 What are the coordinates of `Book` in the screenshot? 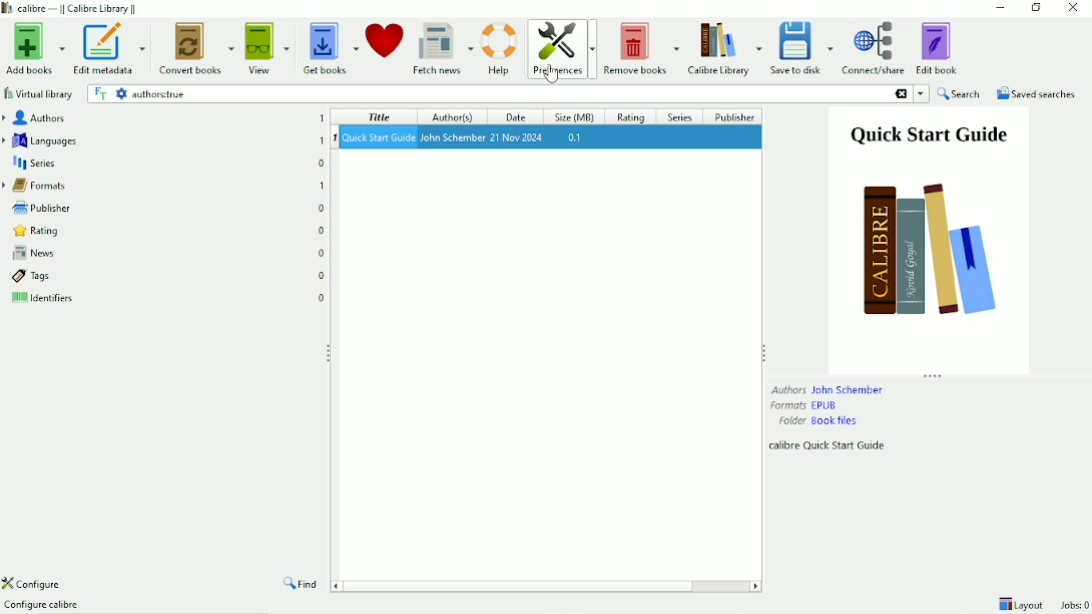 It's located at (547, 137).